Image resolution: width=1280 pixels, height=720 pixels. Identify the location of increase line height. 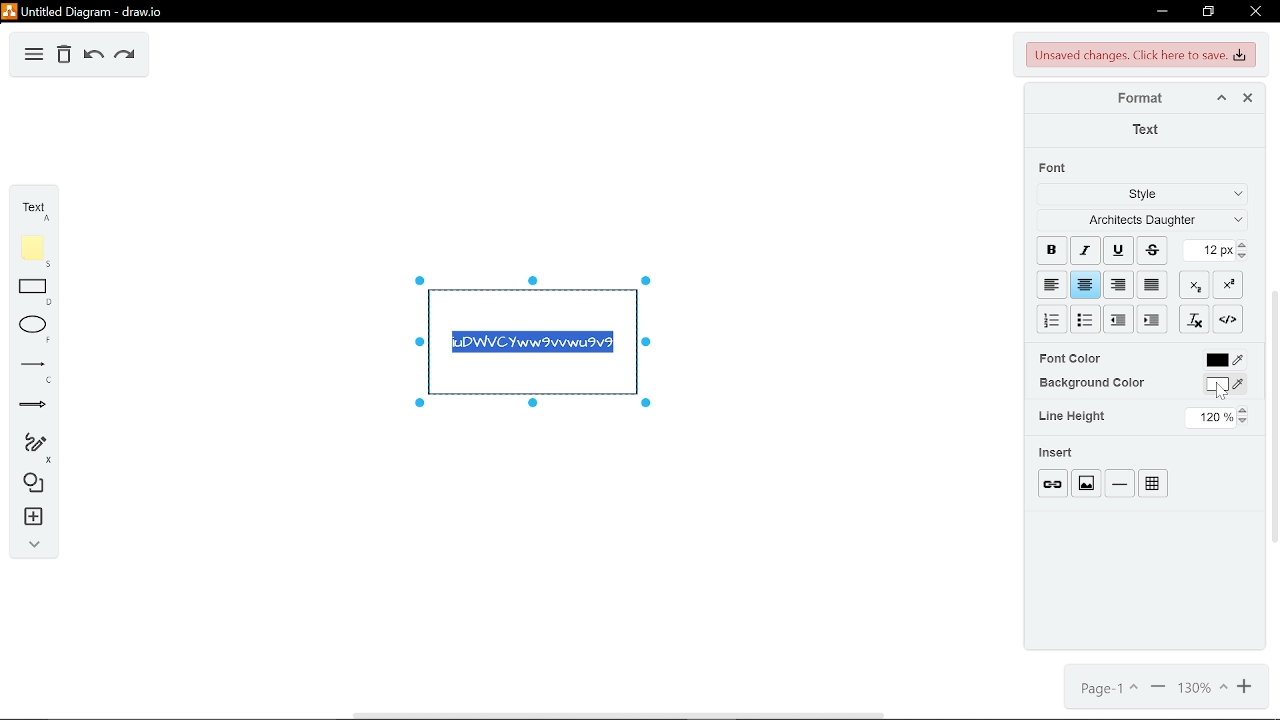
(1245, 408).